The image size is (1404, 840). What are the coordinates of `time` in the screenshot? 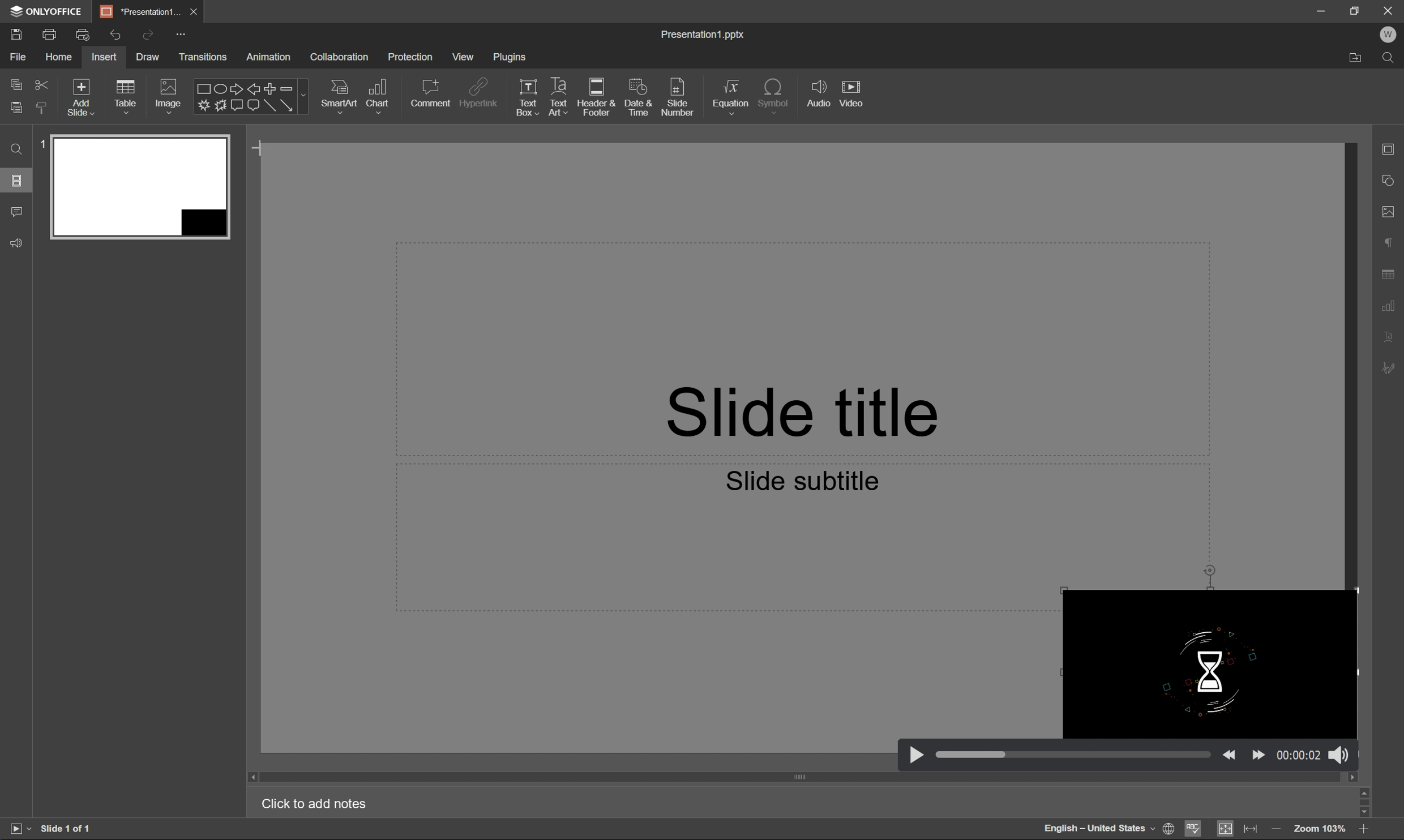 It's located at (1299, 755).